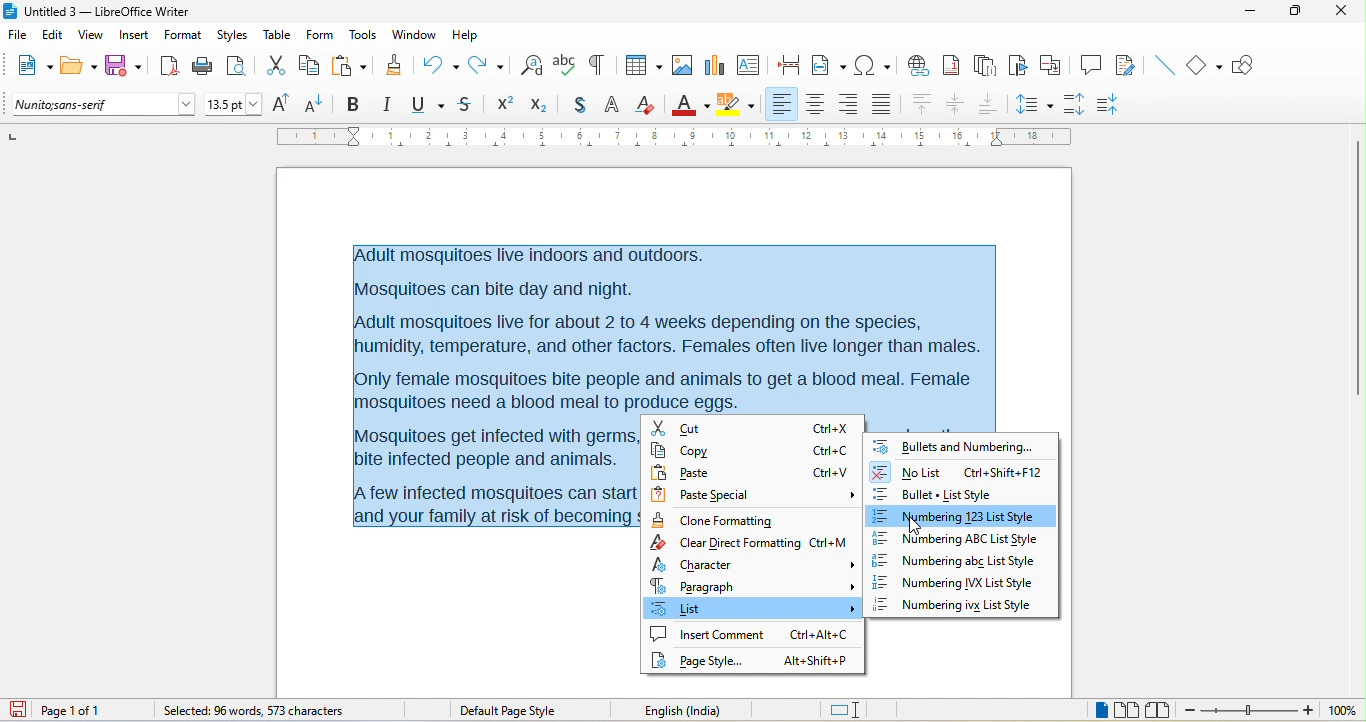 This screenshot has width=1366, height=722. Describe the element at coordinates (849, 105) in the screenshot. I see `align right` at that location.